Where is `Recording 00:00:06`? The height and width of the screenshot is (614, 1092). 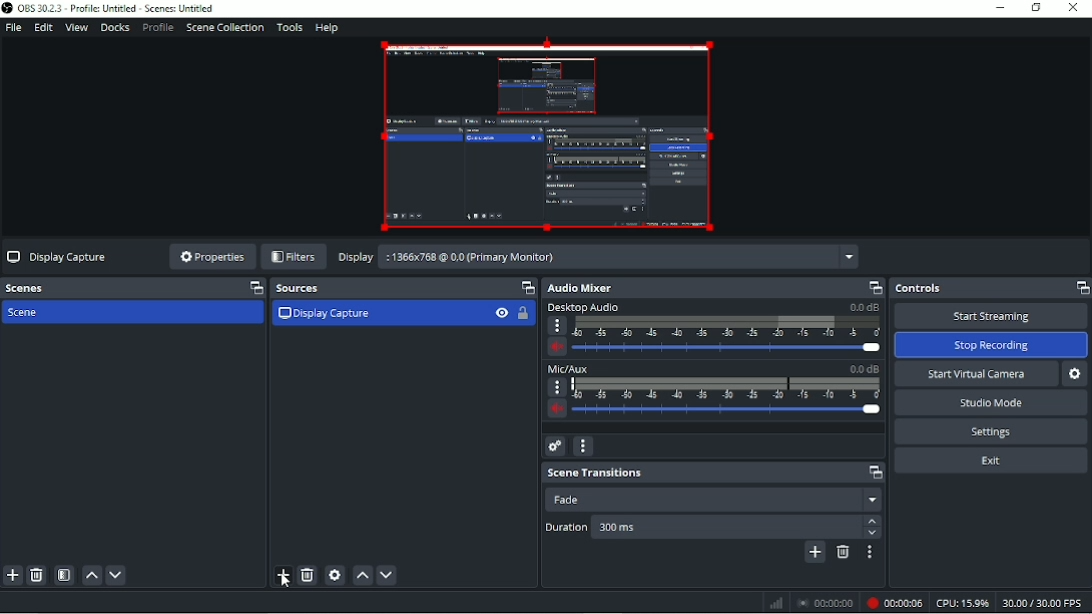
Recording 00:00:06 is located at coordinates (894, 602).